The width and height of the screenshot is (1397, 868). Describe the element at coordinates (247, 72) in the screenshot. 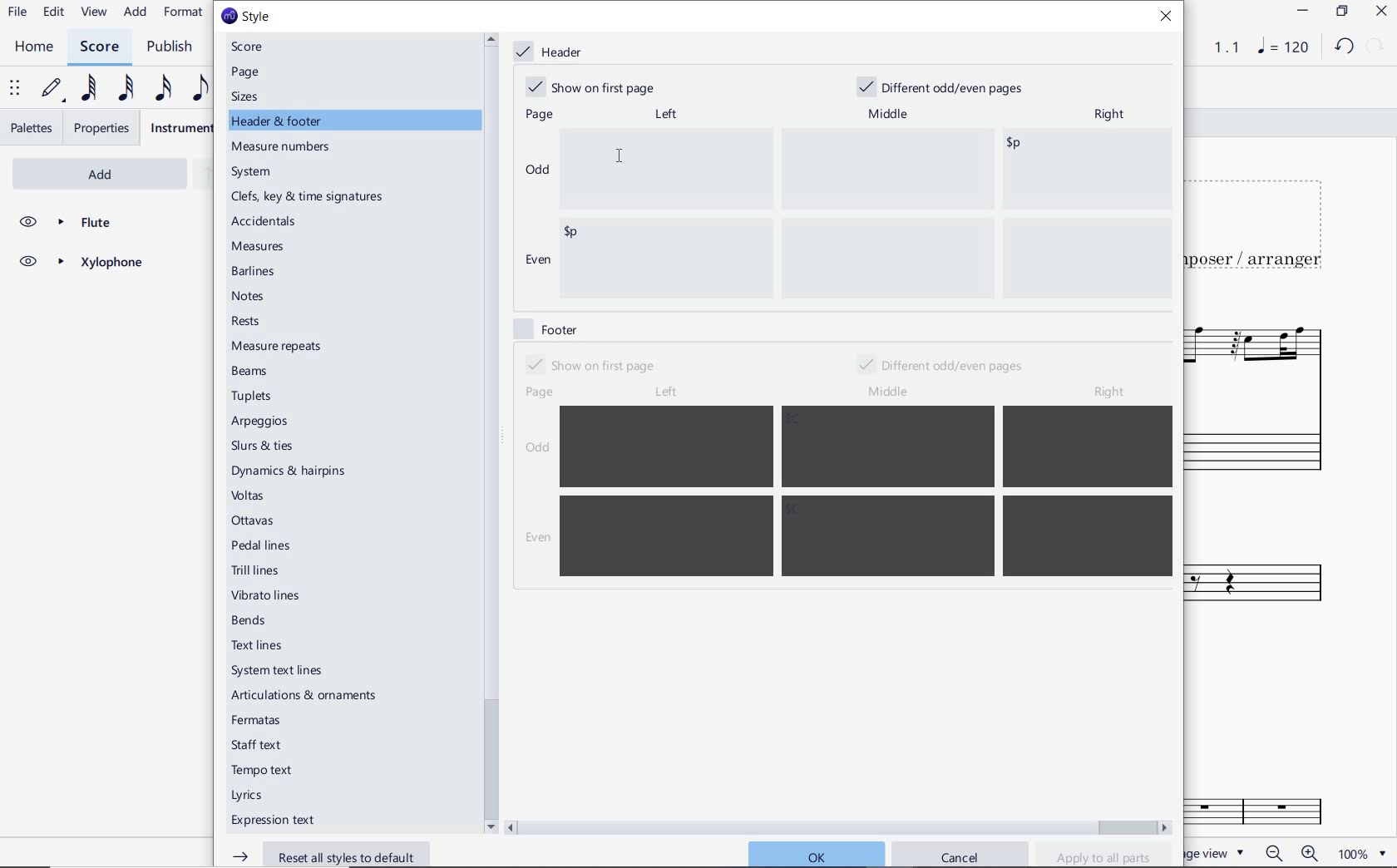

I see `page` at that location.